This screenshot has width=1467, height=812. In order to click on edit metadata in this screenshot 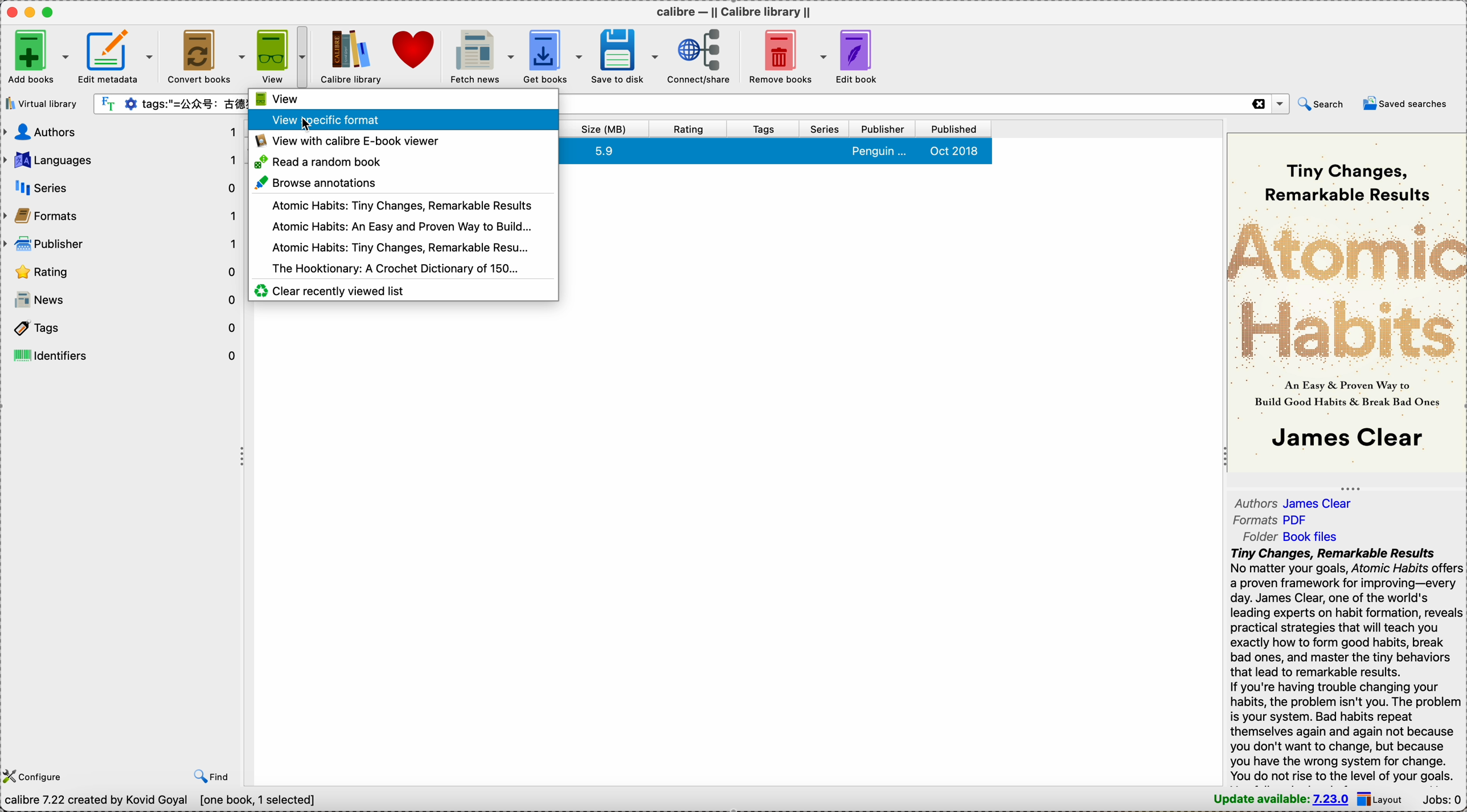, I will do `click(119, 54)`.